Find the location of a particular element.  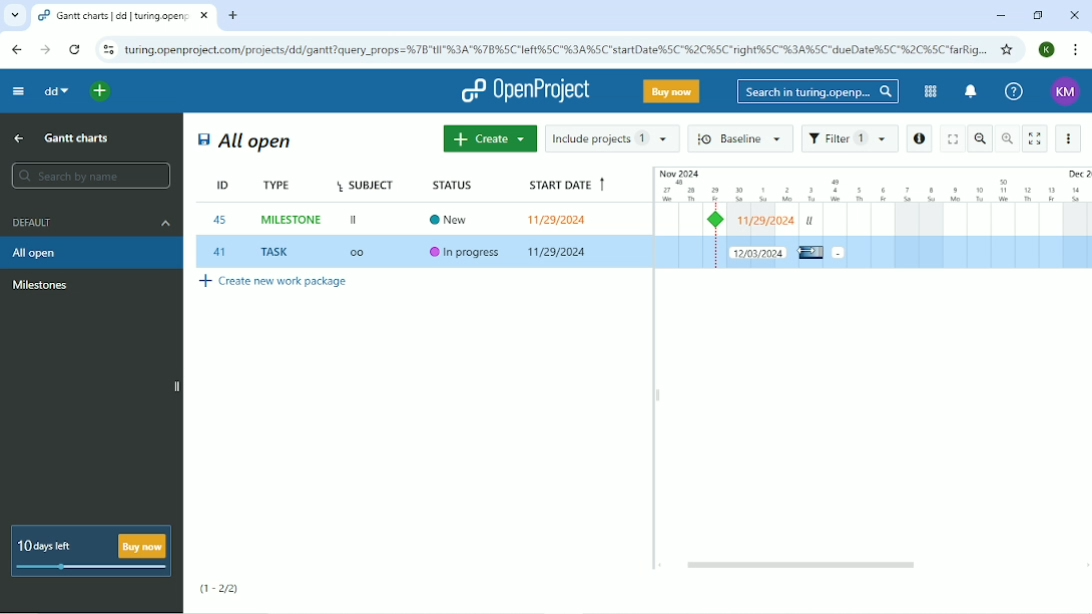

OO is located at coordinates (363, 254).